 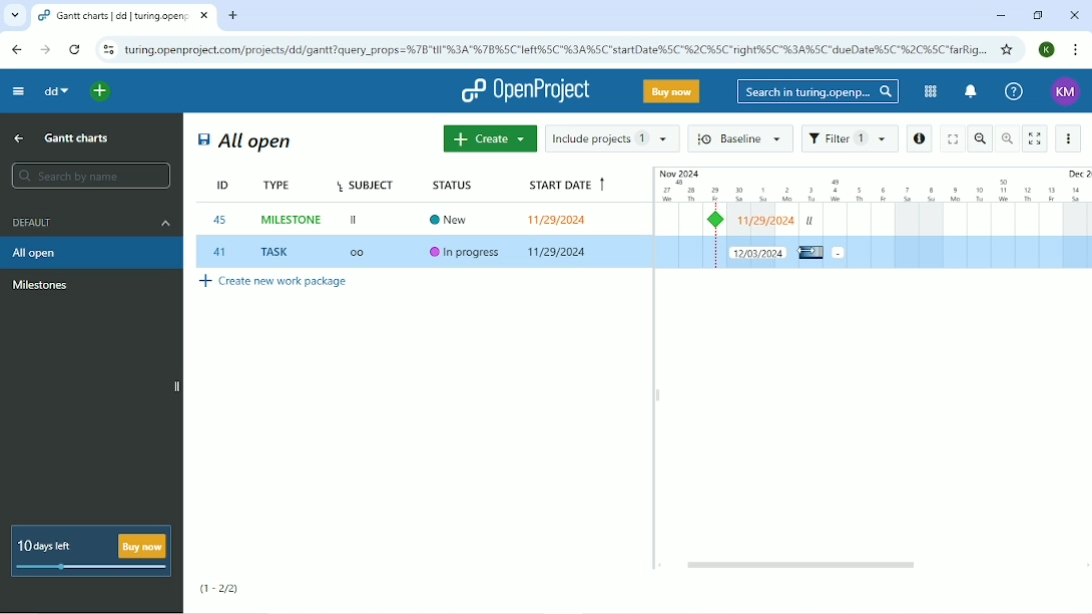 I want to click on Modules, so click(x=929, y=91).